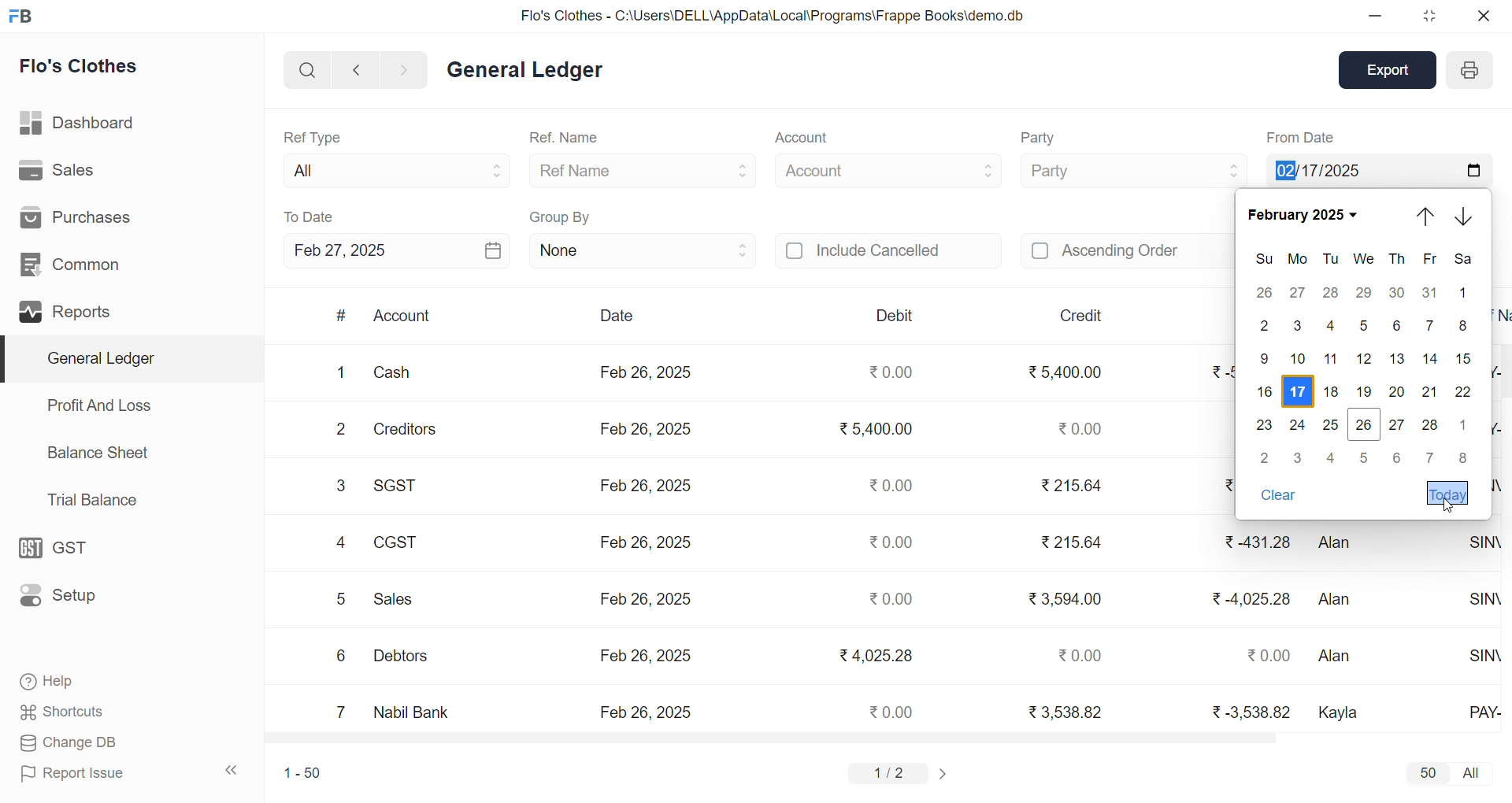 This screenshot has height=803, width=1512. Describe the element at coordinates (1445, 494) in the screenshot. I see `Today` at that location.